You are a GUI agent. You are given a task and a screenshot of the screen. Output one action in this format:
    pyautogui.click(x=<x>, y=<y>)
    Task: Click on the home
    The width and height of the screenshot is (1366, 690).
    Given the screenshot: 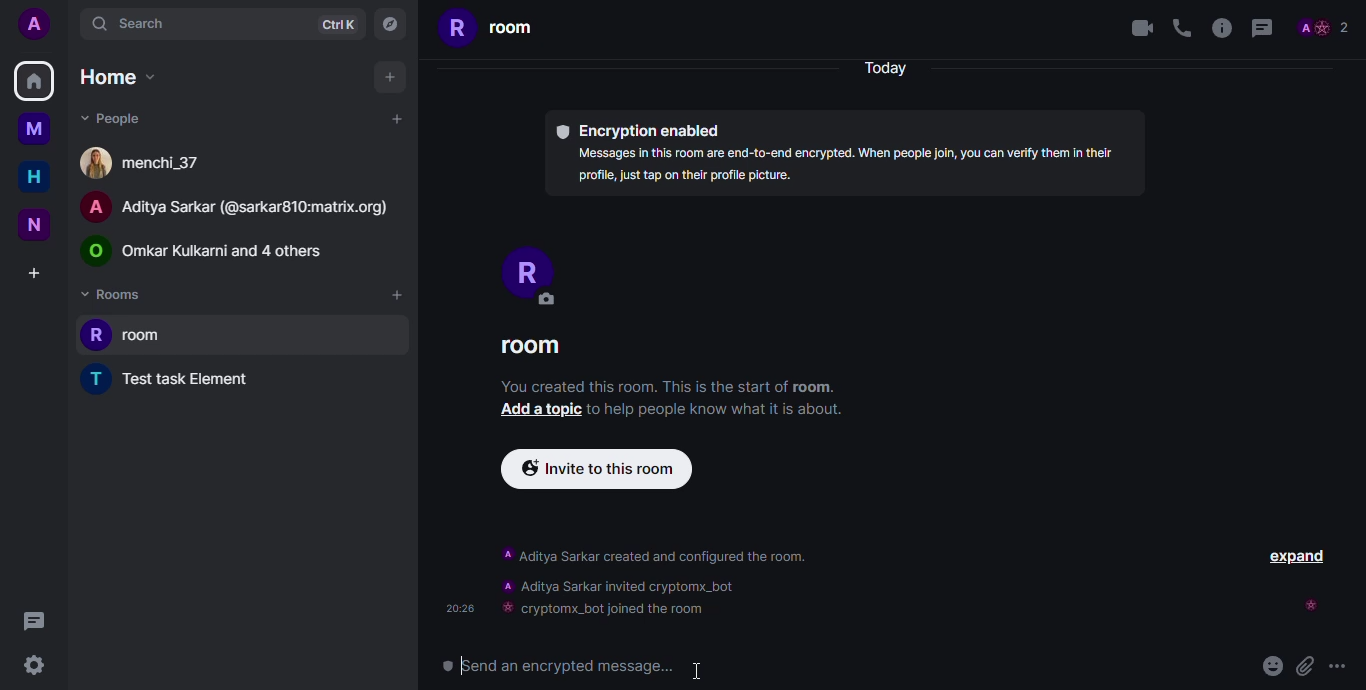 What is the action you would take?
    pyautogui.click(x=33, y=81)
    